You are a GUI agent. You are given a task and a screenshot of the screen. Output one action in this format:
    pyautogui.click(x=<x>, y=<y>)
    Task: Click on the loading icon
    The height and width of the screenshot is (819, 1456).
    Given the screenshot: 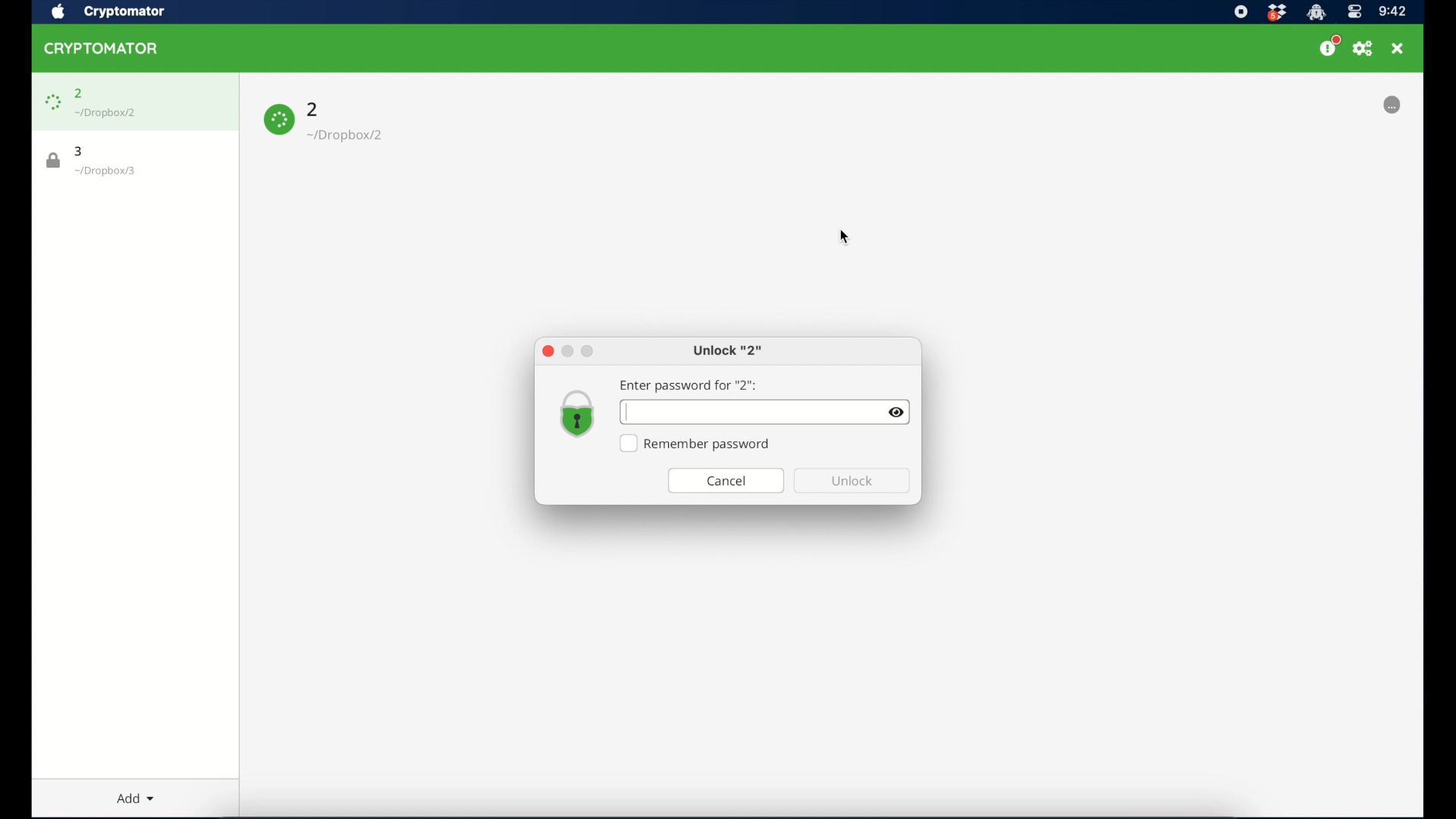 What is the action you would take?
    pyautogui.click(x=279, y=120)
    